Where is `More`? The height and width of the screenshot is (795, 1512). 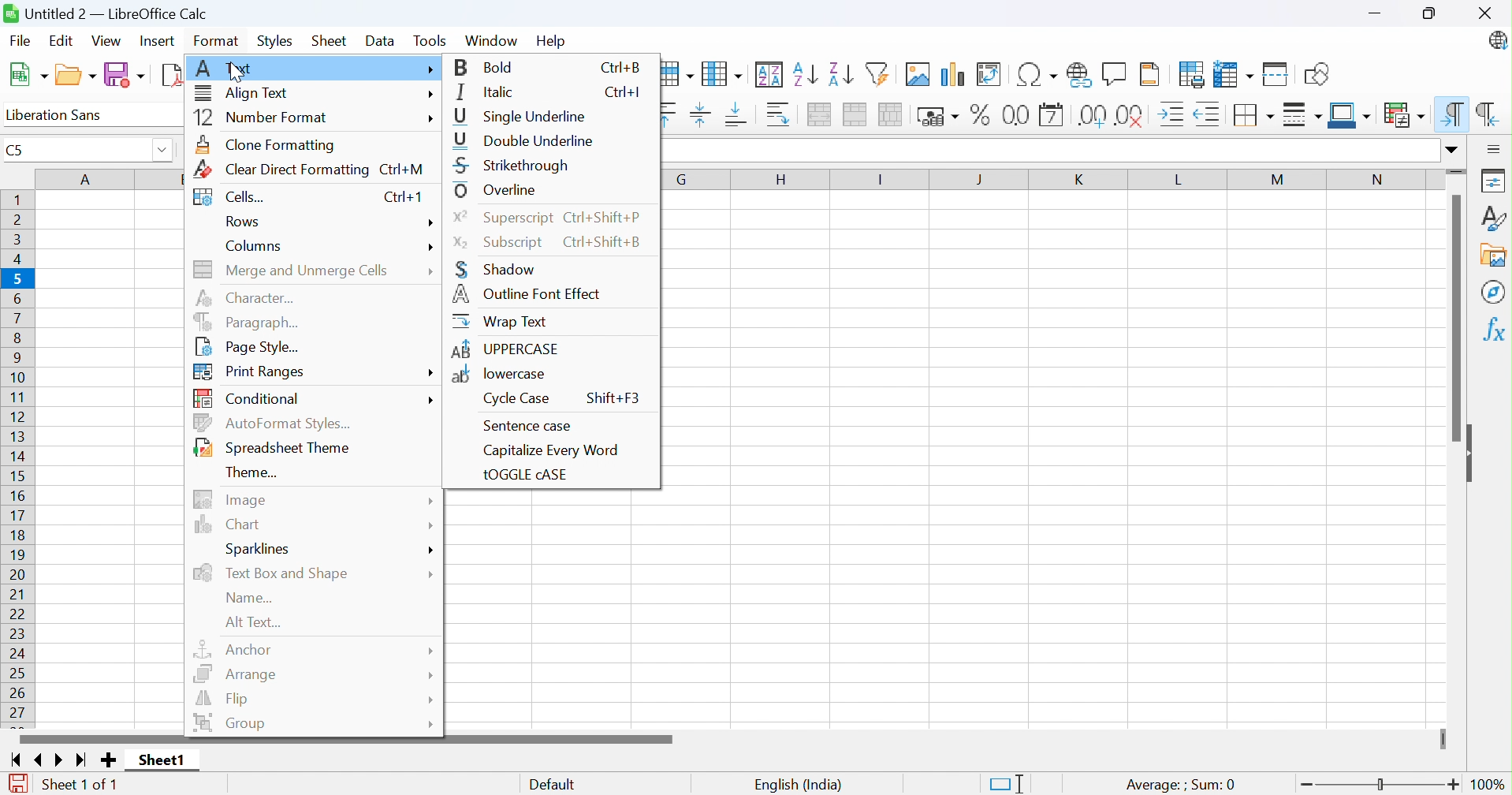
More is located at coordinates (431, 398).